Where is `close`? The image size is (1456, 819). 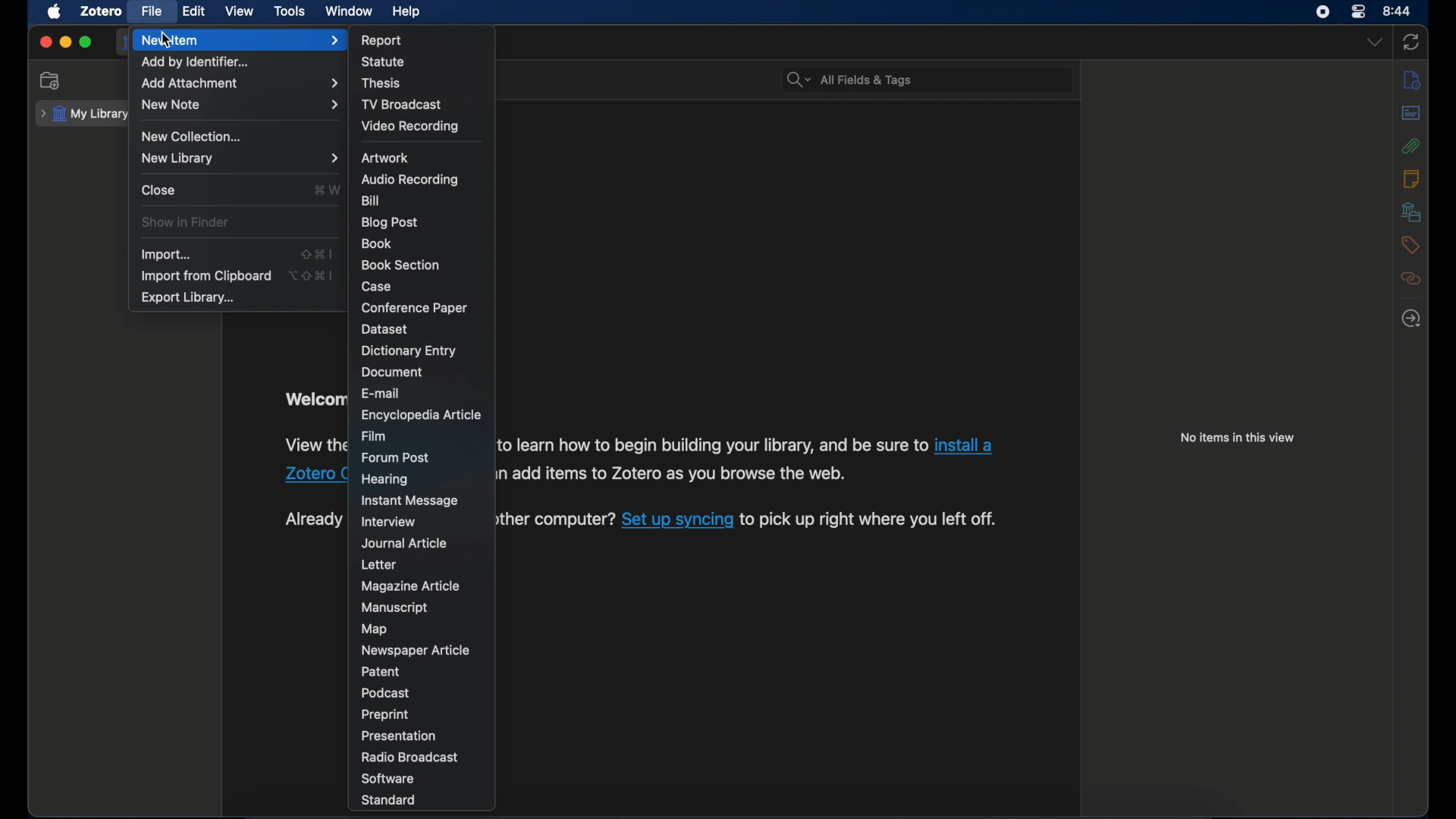
close is located at coordinates (45, 42).